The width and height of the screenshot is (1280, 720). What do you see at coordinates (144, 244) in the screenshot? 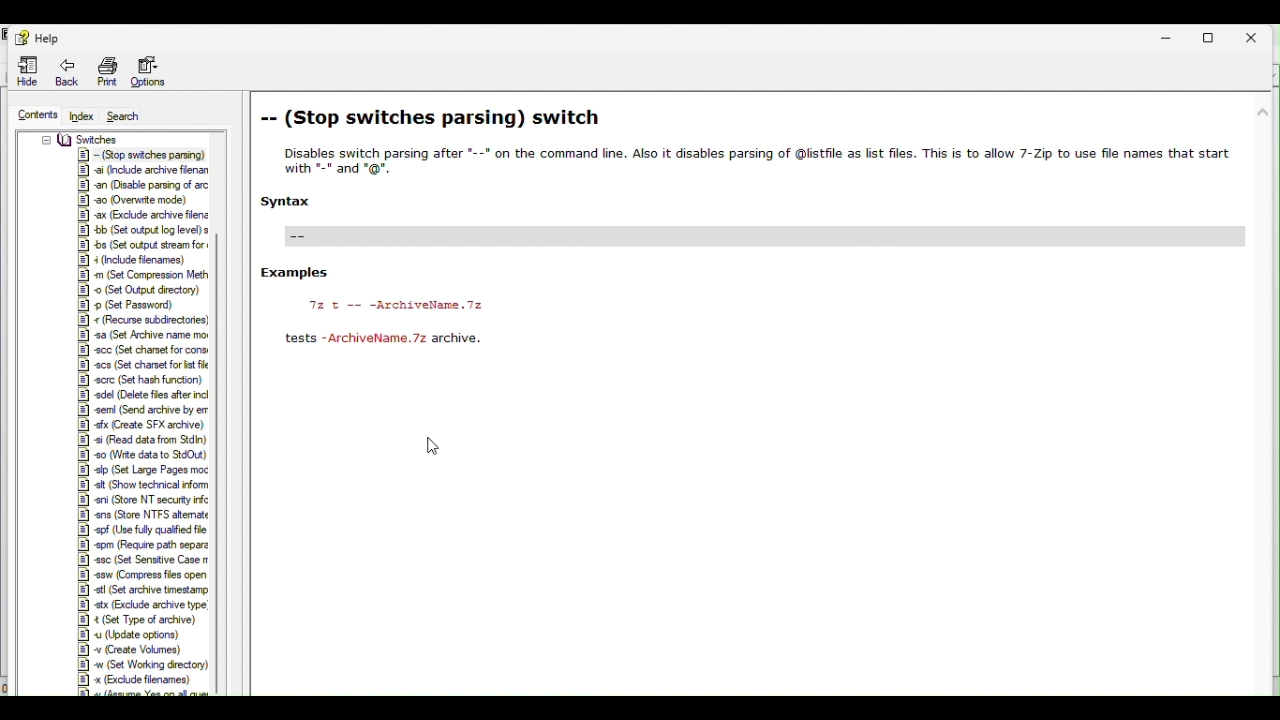
I see `` at bounding box center [144, 244].